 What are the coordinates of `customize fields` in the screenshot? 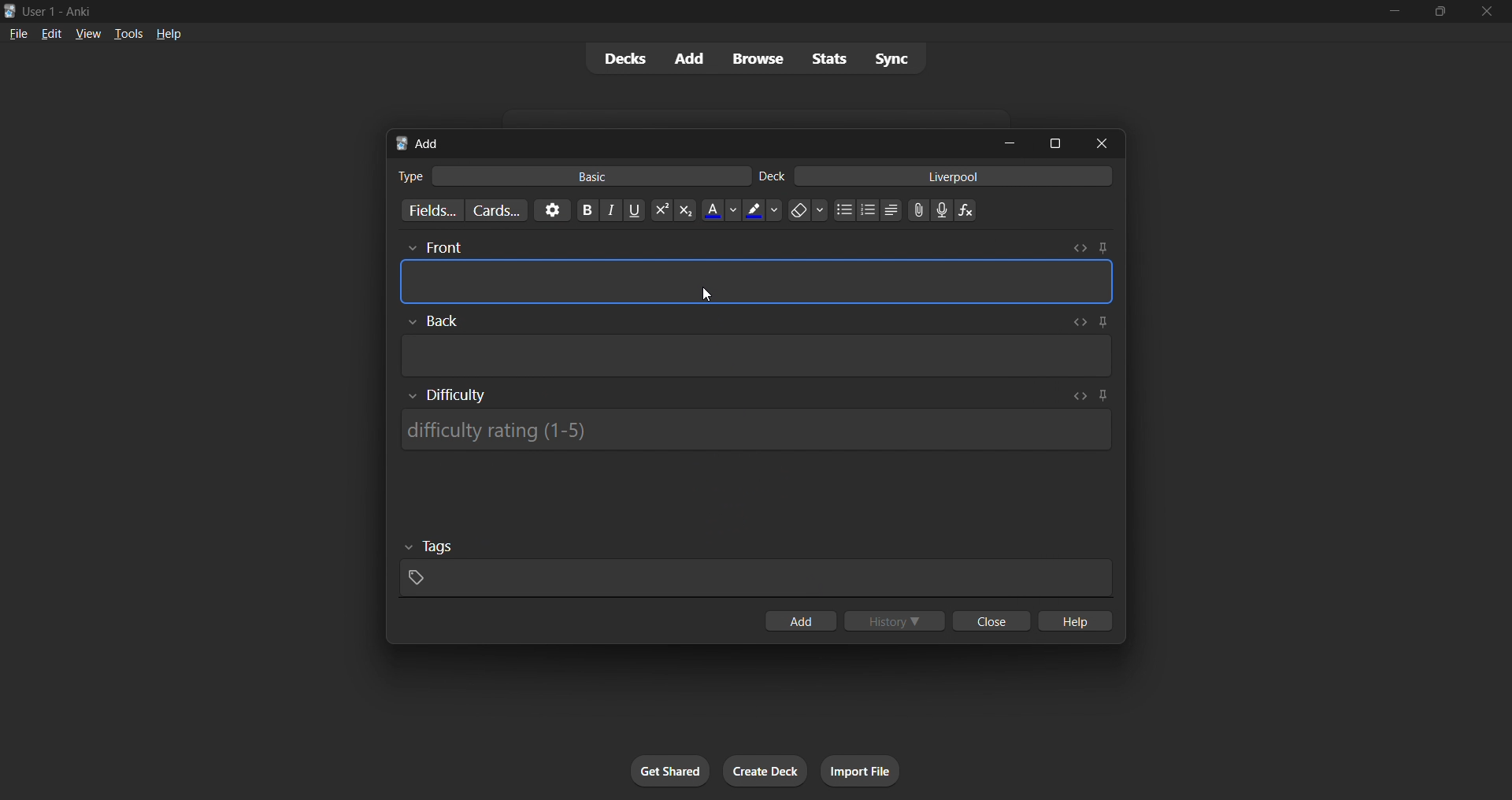 It's located at (429, 210).